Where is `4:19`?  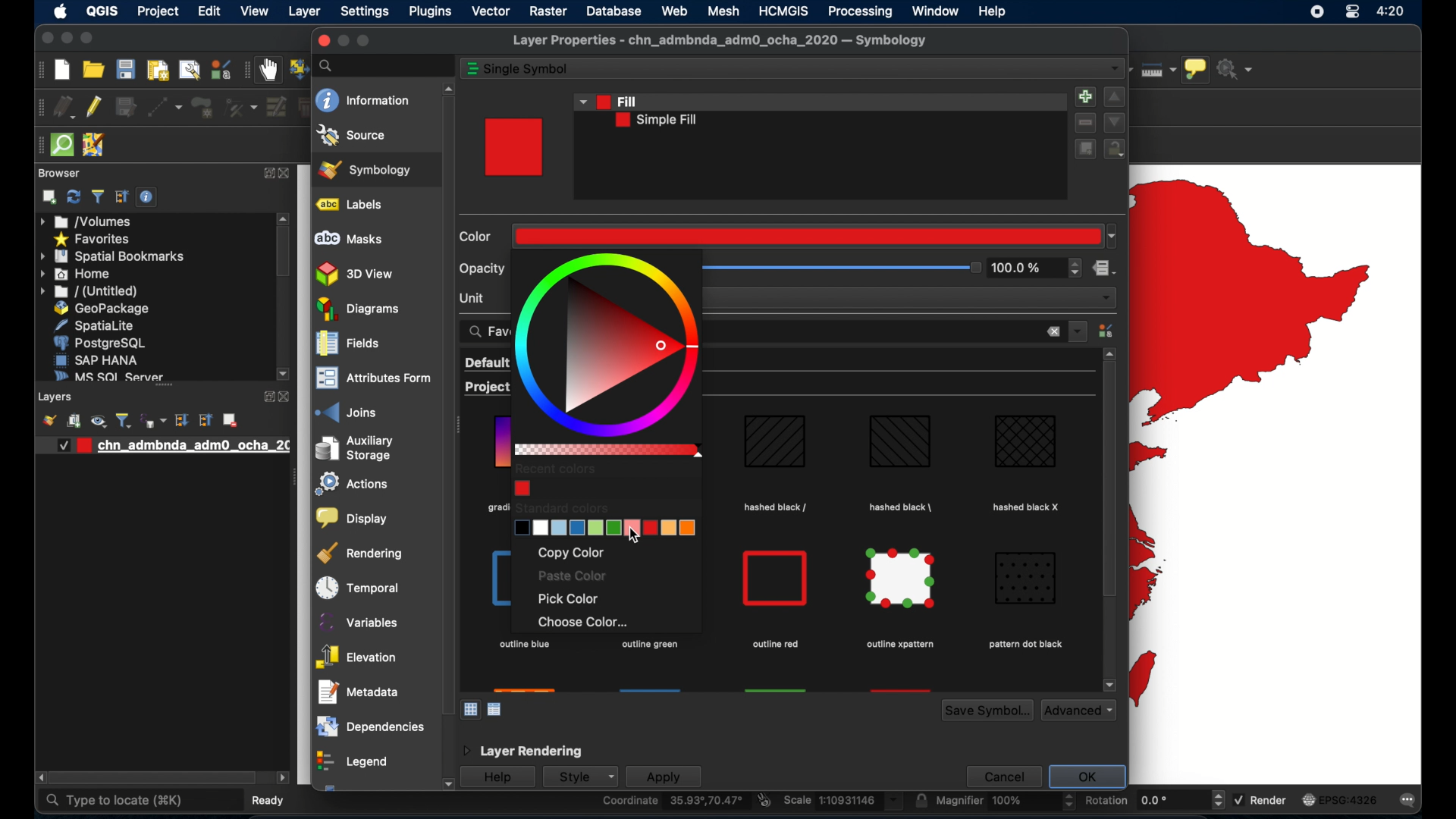 4:19 is located at coordinates (1392, 11).